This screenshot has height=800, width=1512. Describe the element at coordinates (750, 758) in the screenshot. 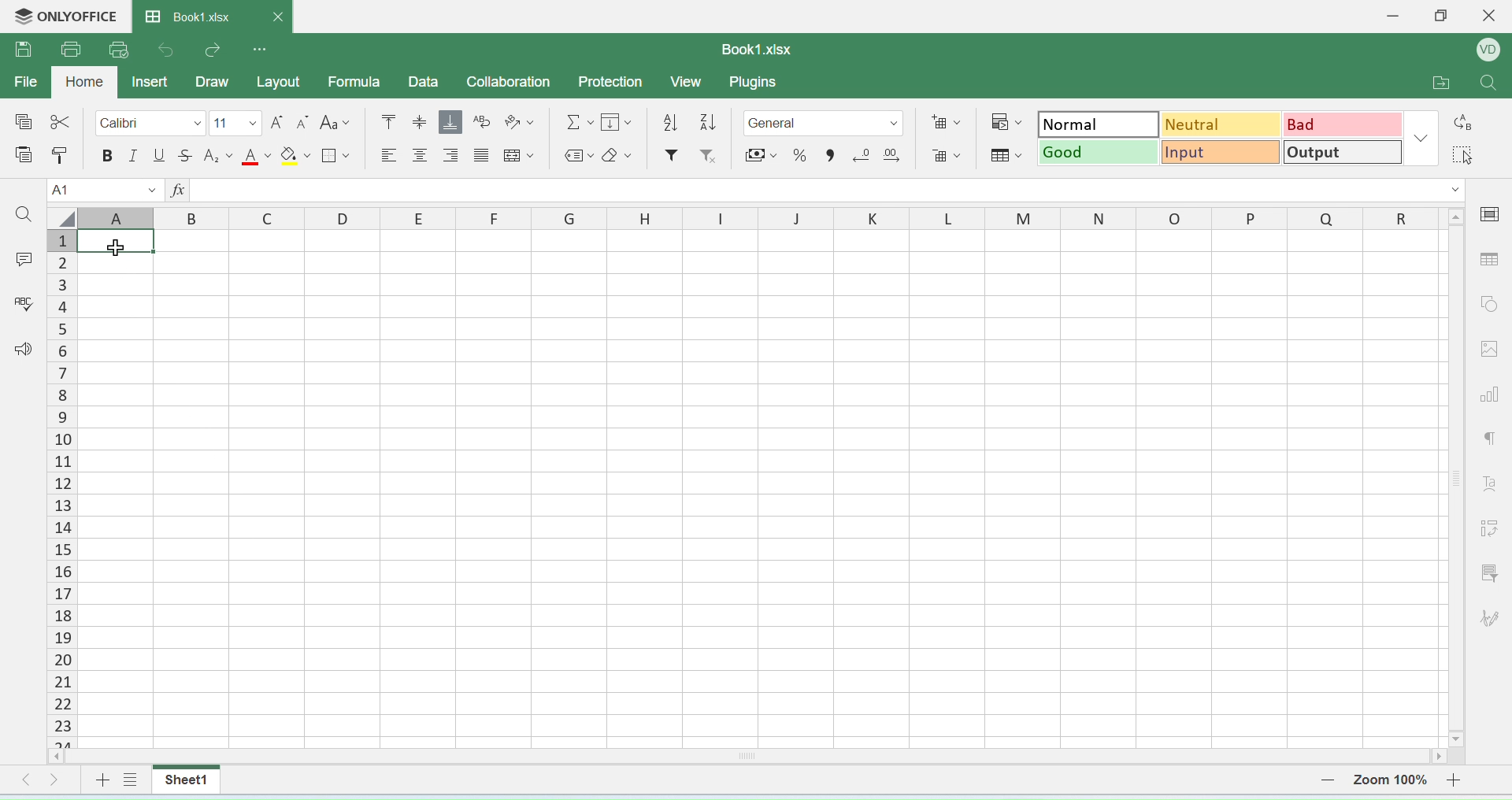

I see `horizontal scroll bar` at that location.